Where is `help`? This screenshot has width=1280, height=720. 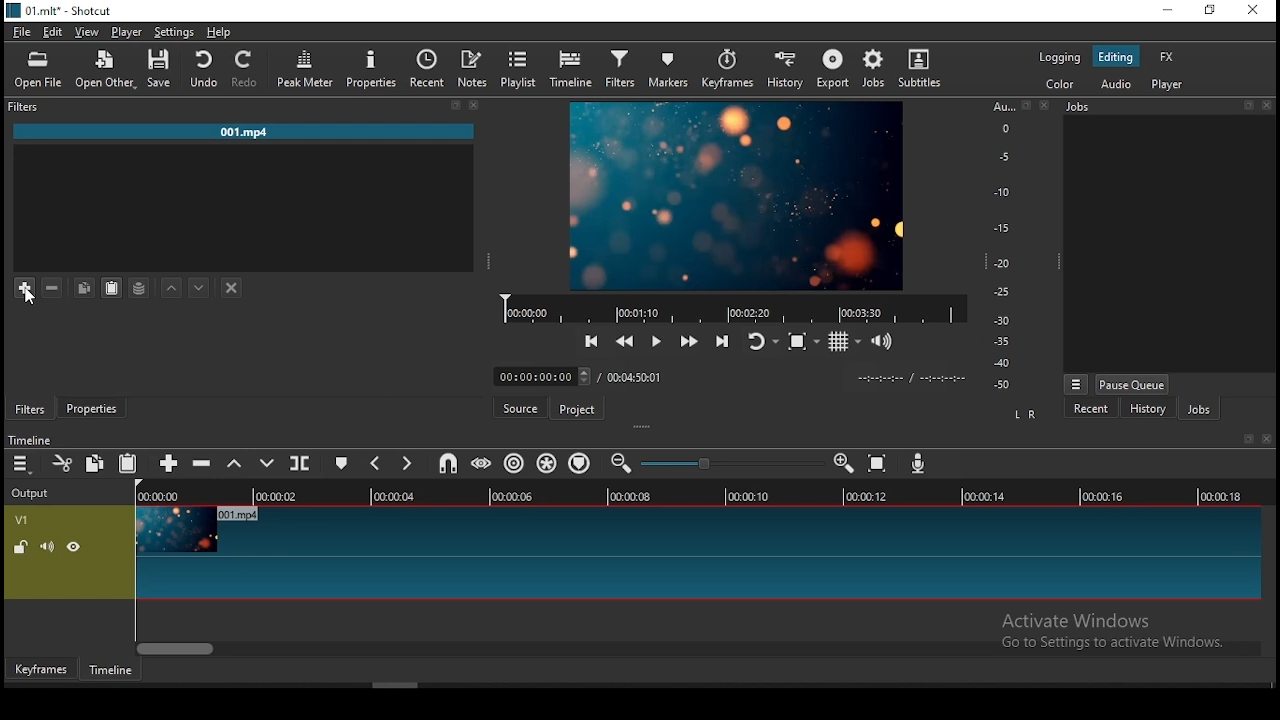
help is located at coordinates (223, 31).